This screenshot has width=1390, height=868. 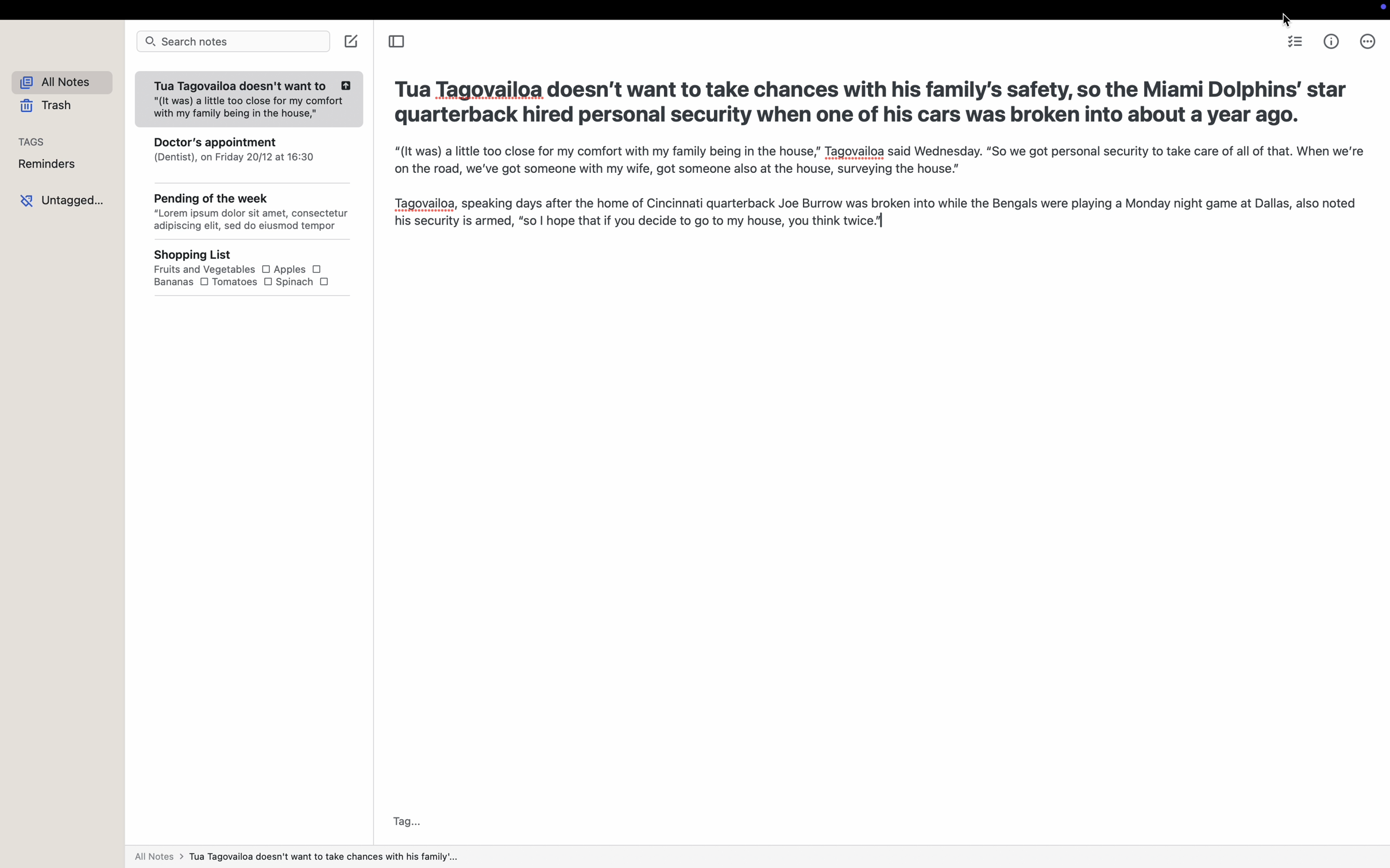 What do you see at coordinates (233, 42) in the screenshot?
I see `search bar` at bounding box center [233, 42].